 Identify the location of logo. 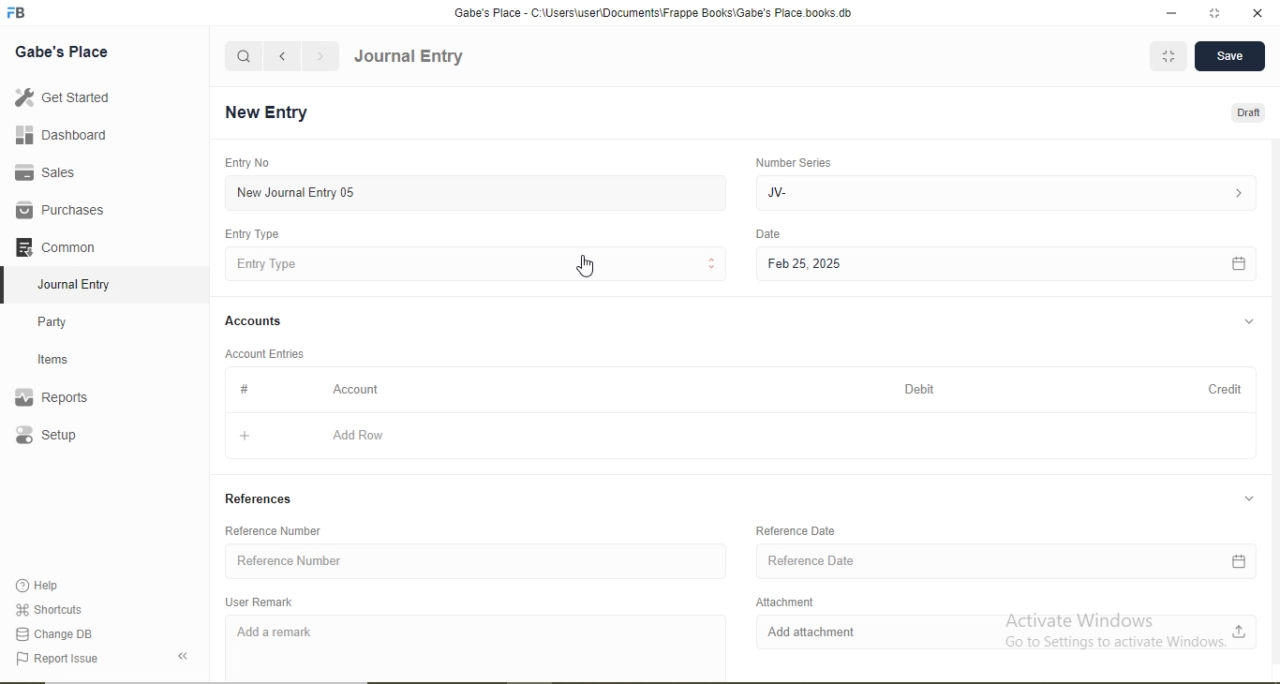
(18, 13).